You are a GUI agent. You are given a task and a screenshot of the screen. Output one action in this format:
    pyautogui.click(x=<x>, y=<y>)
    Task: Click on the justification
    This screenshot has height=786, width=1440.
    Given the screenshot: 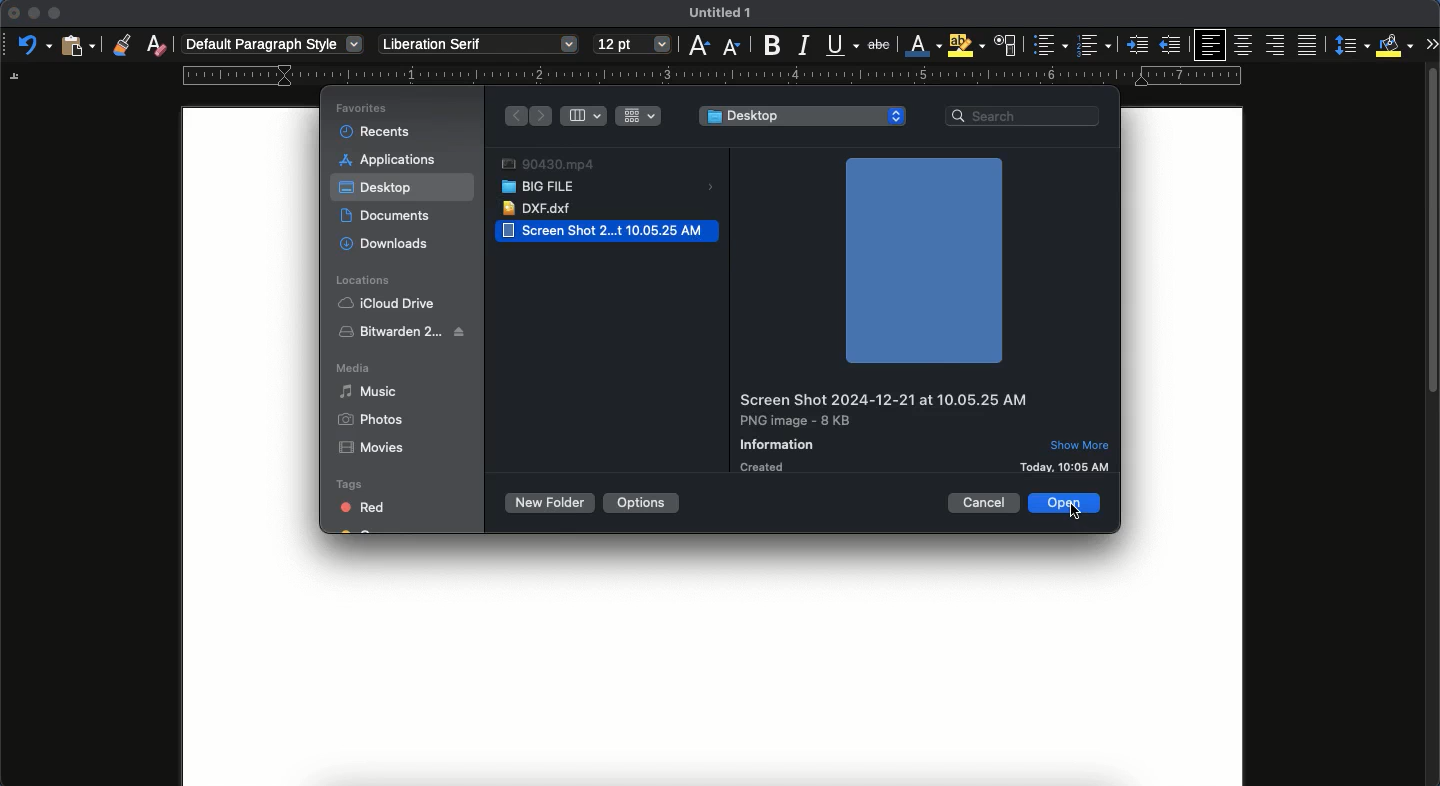 What is the action you would take?
    pyautogui.click(x=1305, y=44)
    